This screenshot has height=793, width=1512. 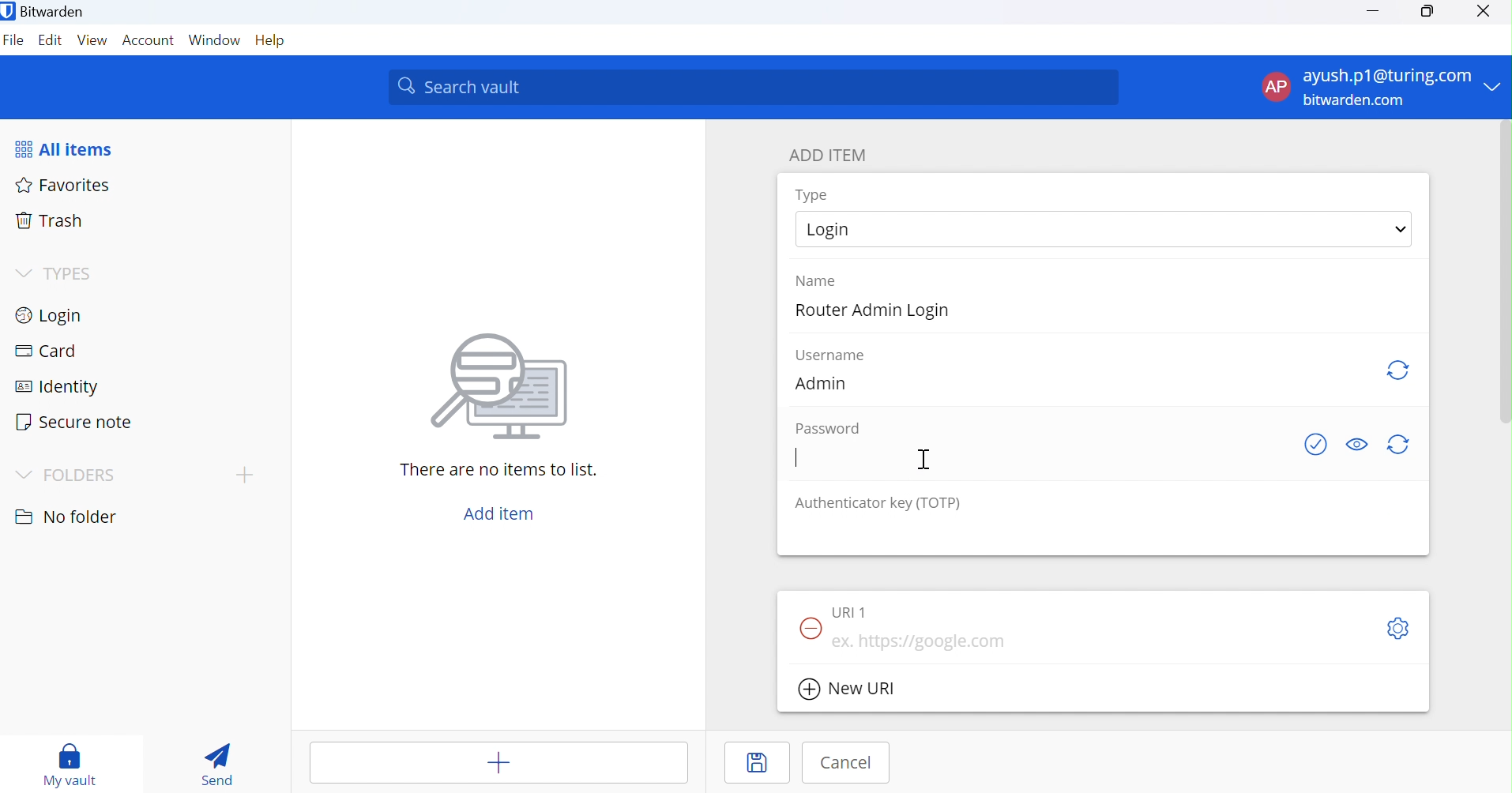 What do you see at coordinates (826, 427) in the screenshot?
I see `Password` at bounding box center [826, 427].